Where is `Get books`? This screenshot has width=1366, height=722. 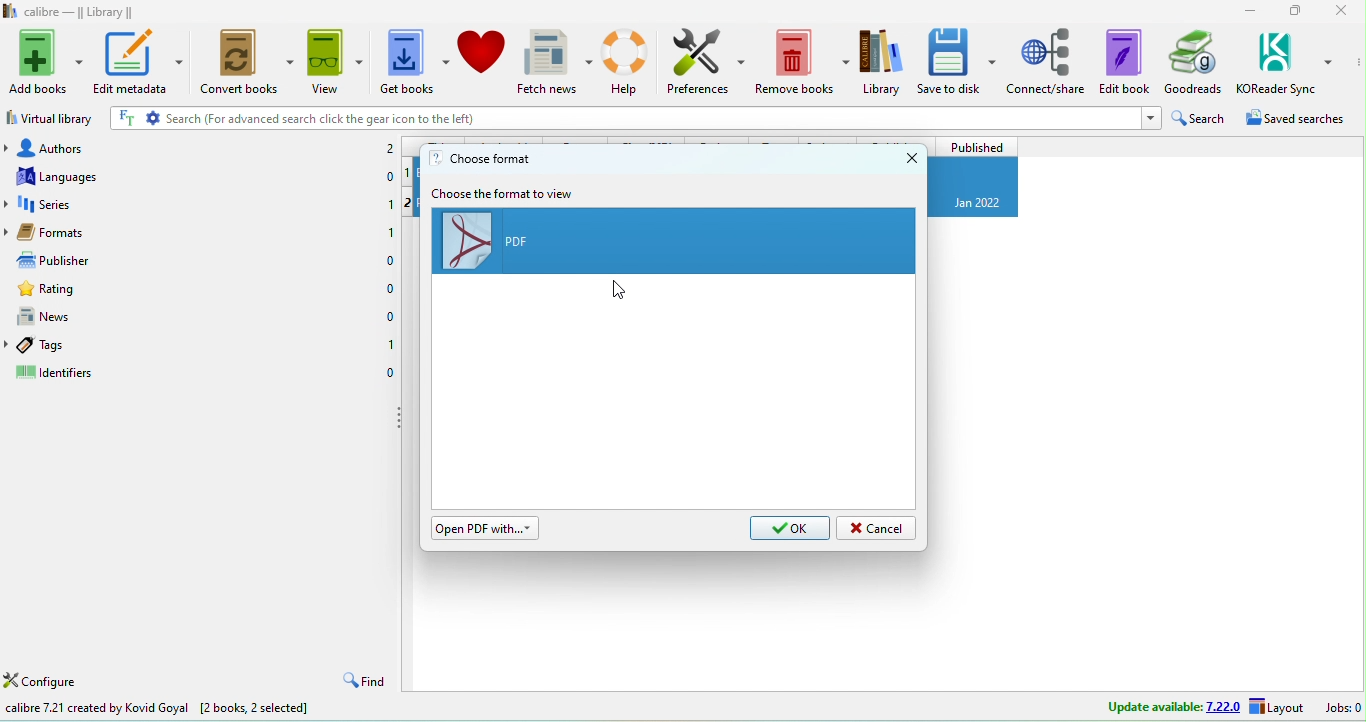 Get books is located at coordinates (415, 60).